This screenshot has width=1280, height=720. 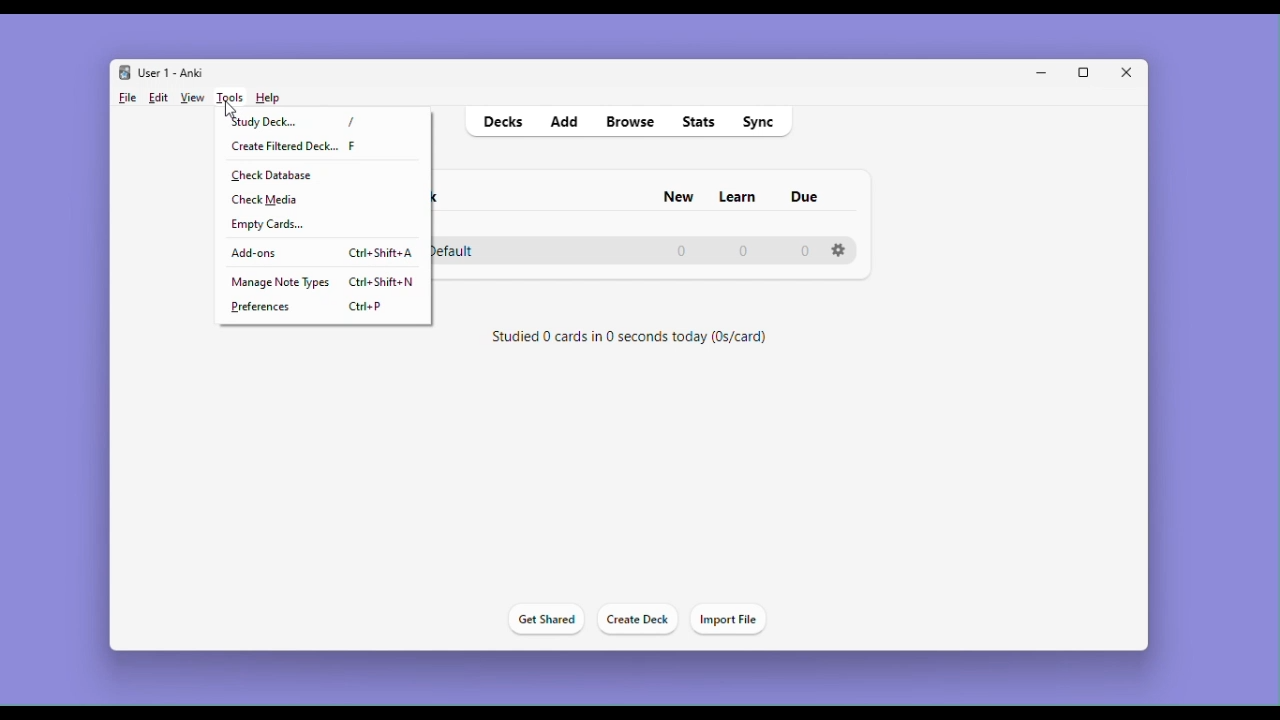 What do you see at coordinates (158, 98) in the screenshot?
I see `Edit` at bounding box center [158, 98].